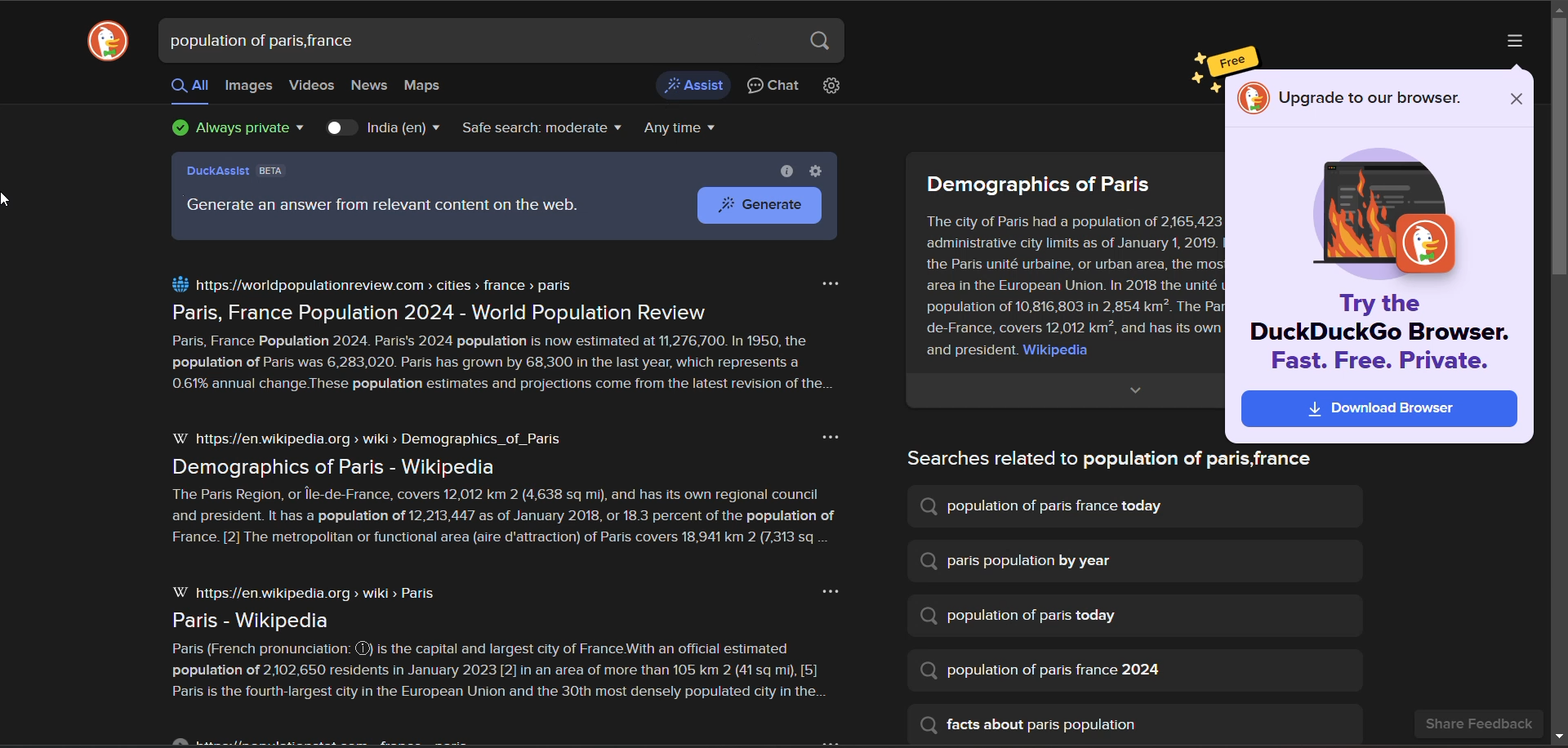 The width and height of the screenshot is (1568, 748). I want to click on logo, so click(1254, 99).